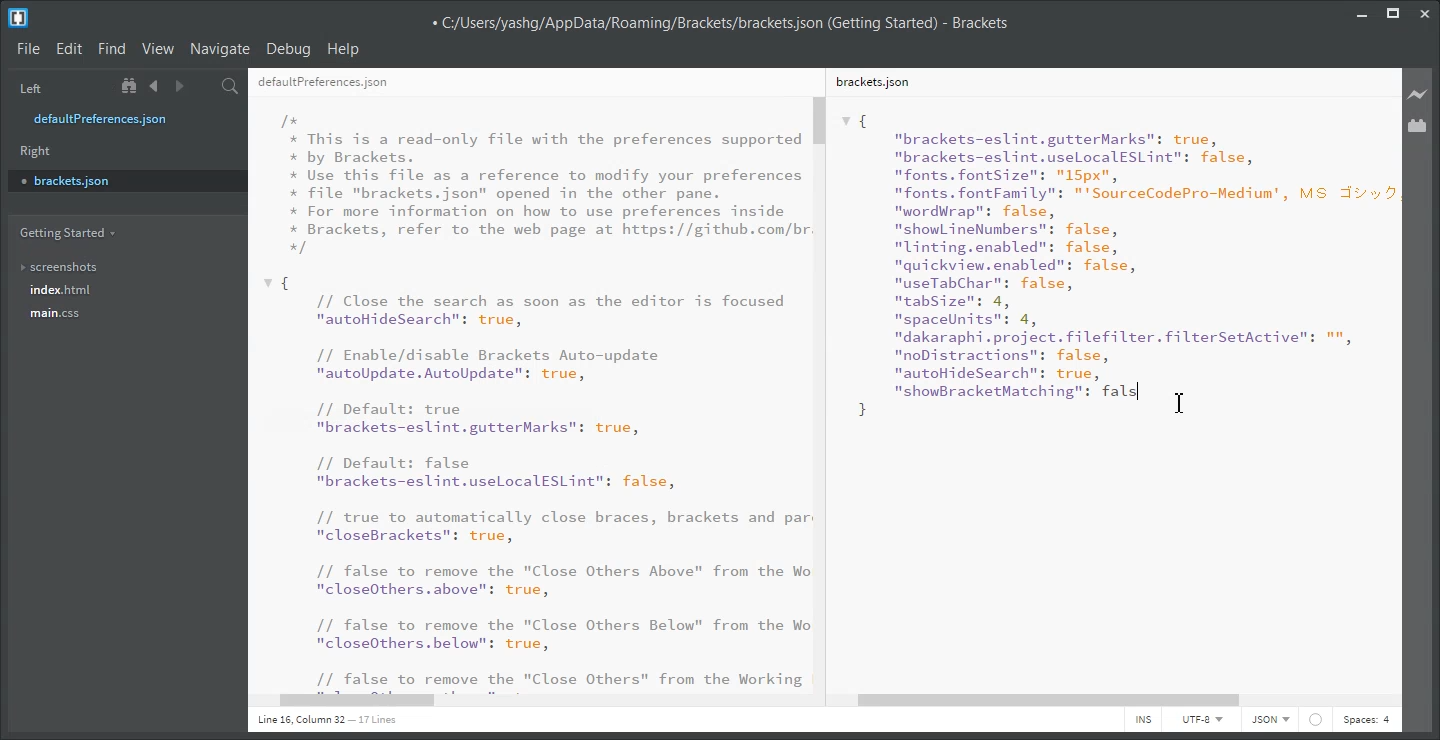 The width and height of the screenshot is (1440, 740). I want to click on UTF-8, so click(1201, 719).